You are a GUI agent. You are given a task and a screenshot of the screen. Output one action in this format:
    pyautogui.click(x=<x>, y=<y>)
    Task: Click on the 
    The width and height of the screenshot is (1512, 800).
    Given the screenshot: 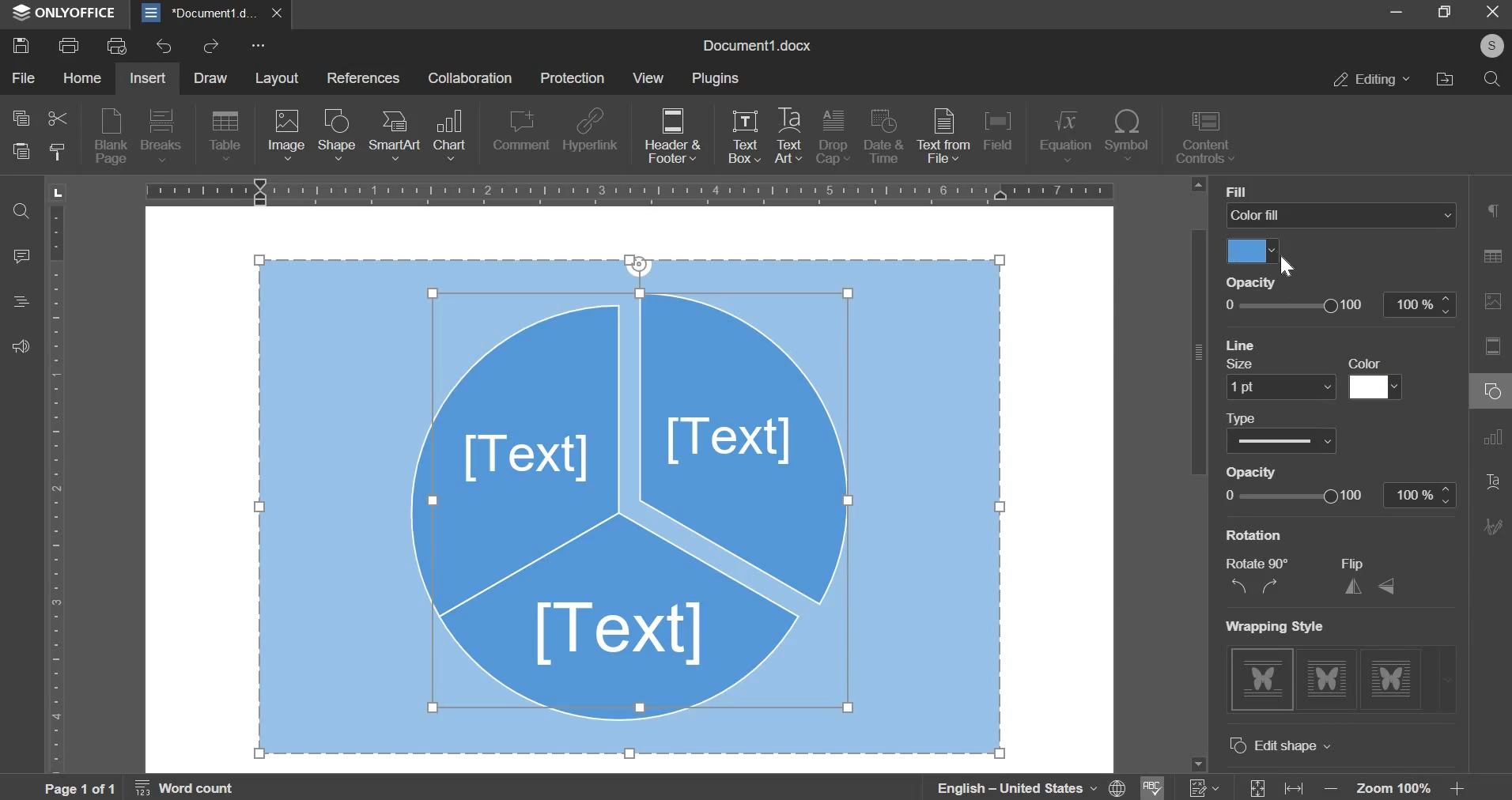 What is the action you would take?
    pyautogui.click(x=1247, y=365)
    